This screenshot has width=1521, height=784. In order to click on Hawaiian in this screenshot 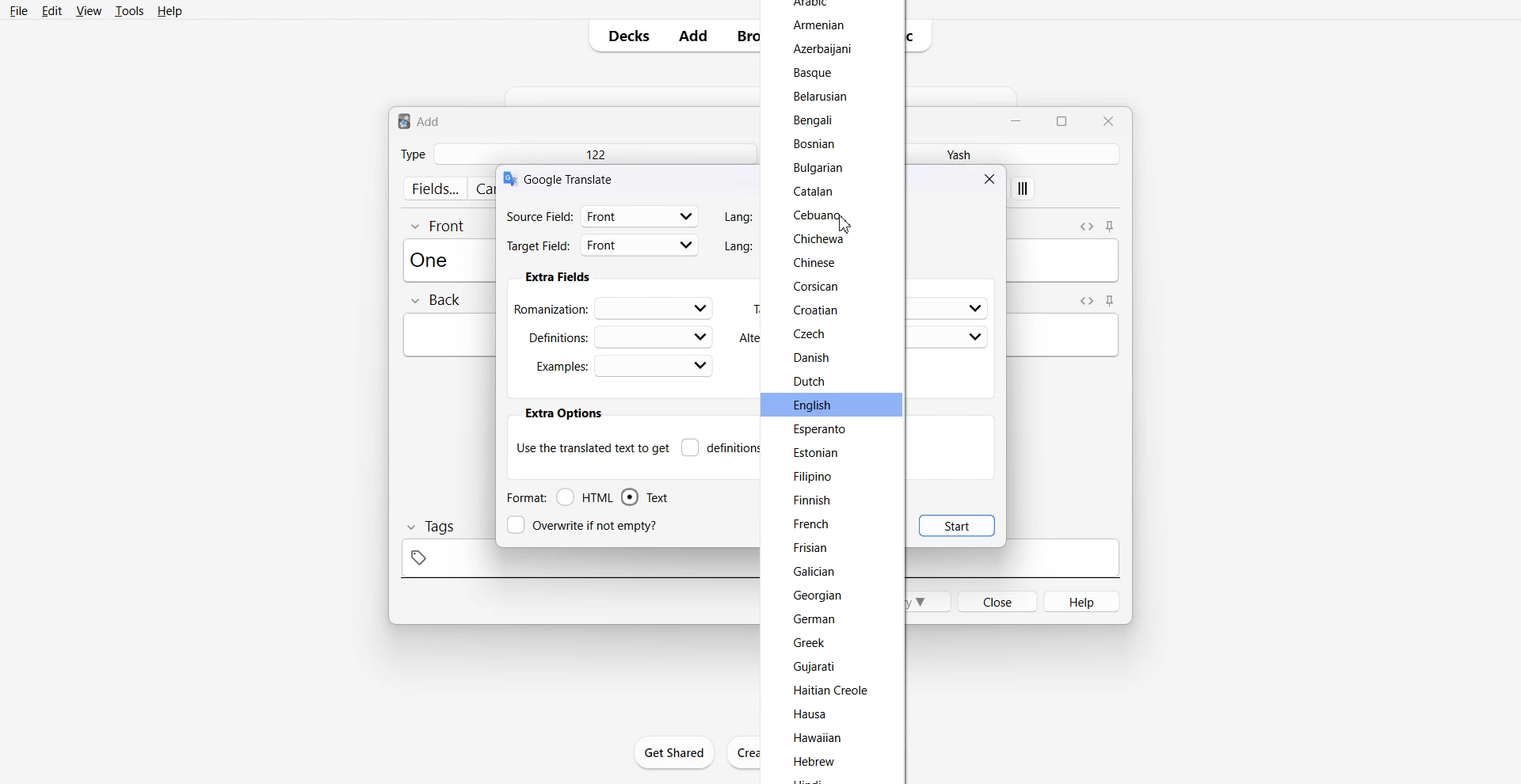, I will do `click(822, 738)`.